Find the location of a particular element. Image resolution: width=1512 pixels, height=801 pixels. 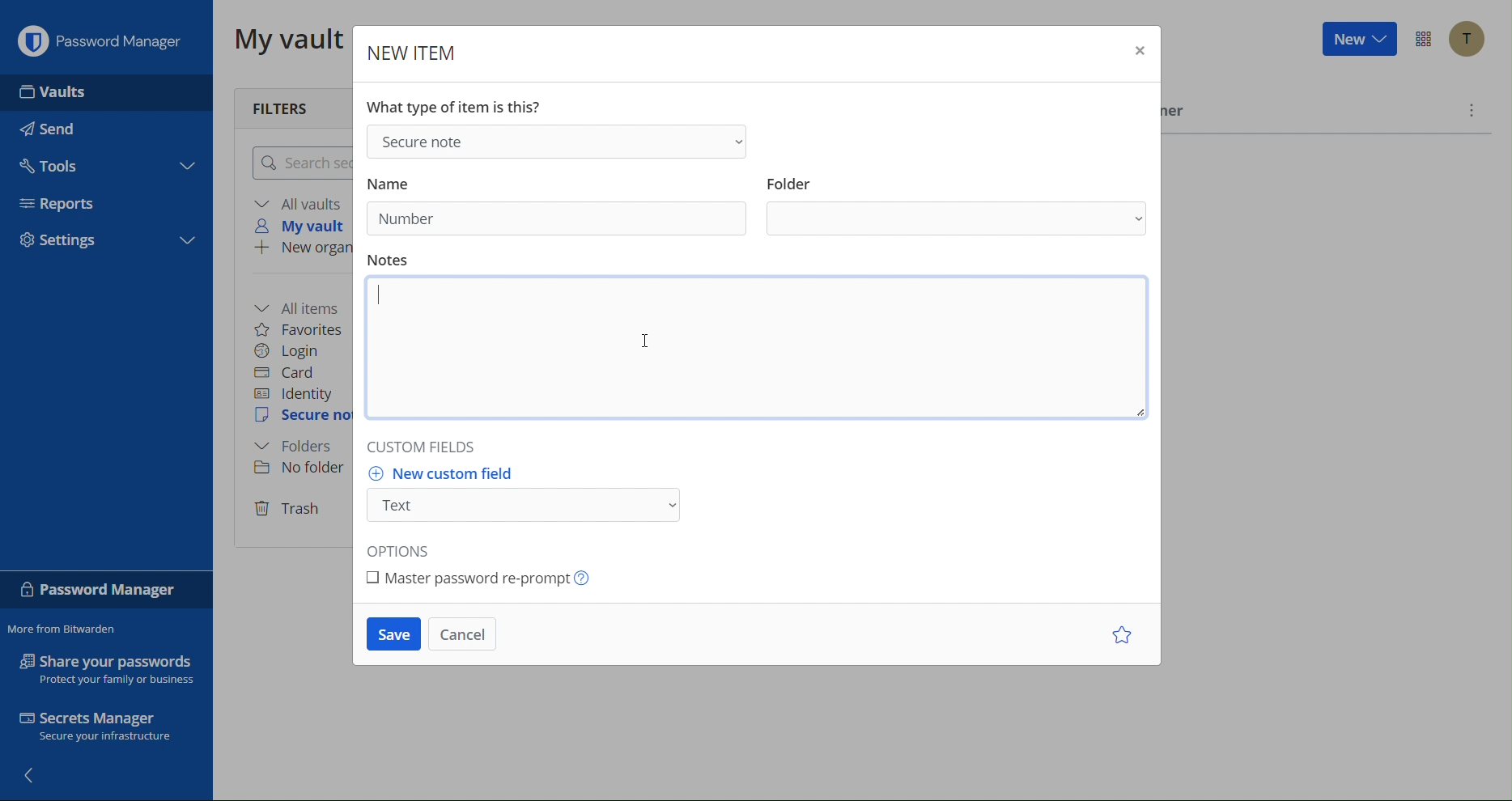

Folder is located at coordinates (955, 206).